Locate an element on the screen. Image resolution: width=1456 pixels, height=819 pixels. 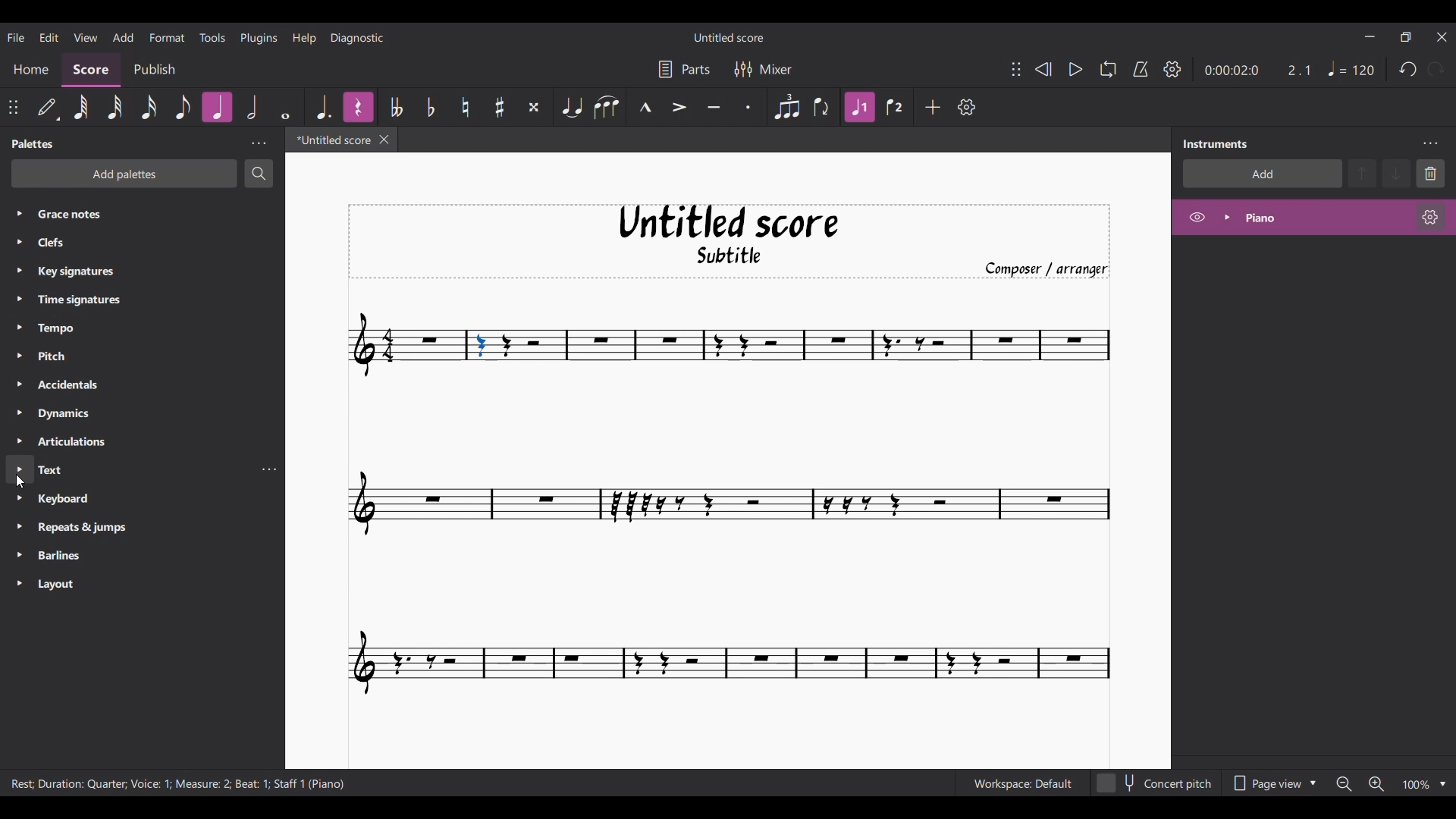
Playback settings is located at coordinates (1172, 68).